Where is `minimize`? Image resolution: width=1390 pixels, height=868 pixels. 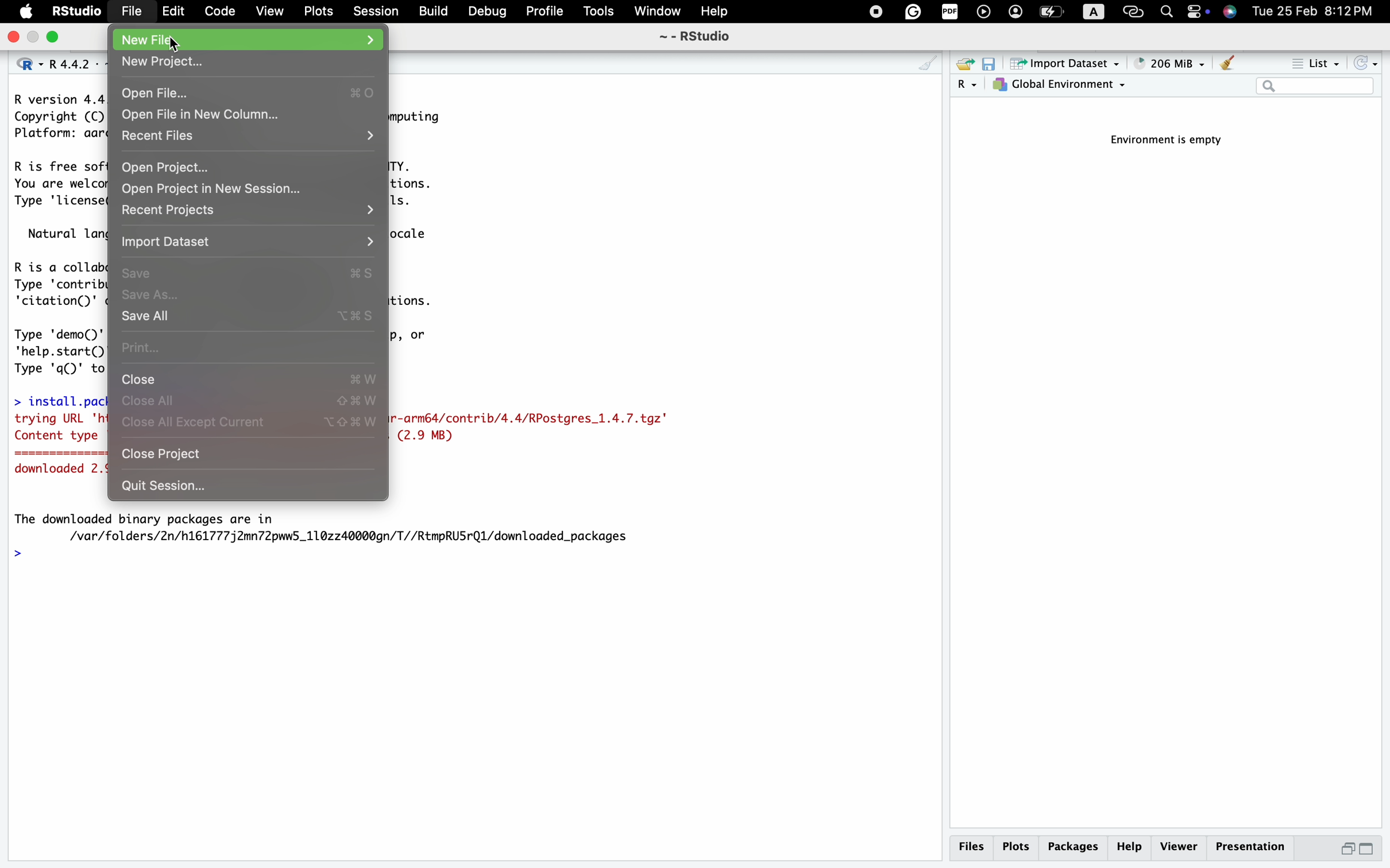 minimize is located at coordinates (1342, 852).